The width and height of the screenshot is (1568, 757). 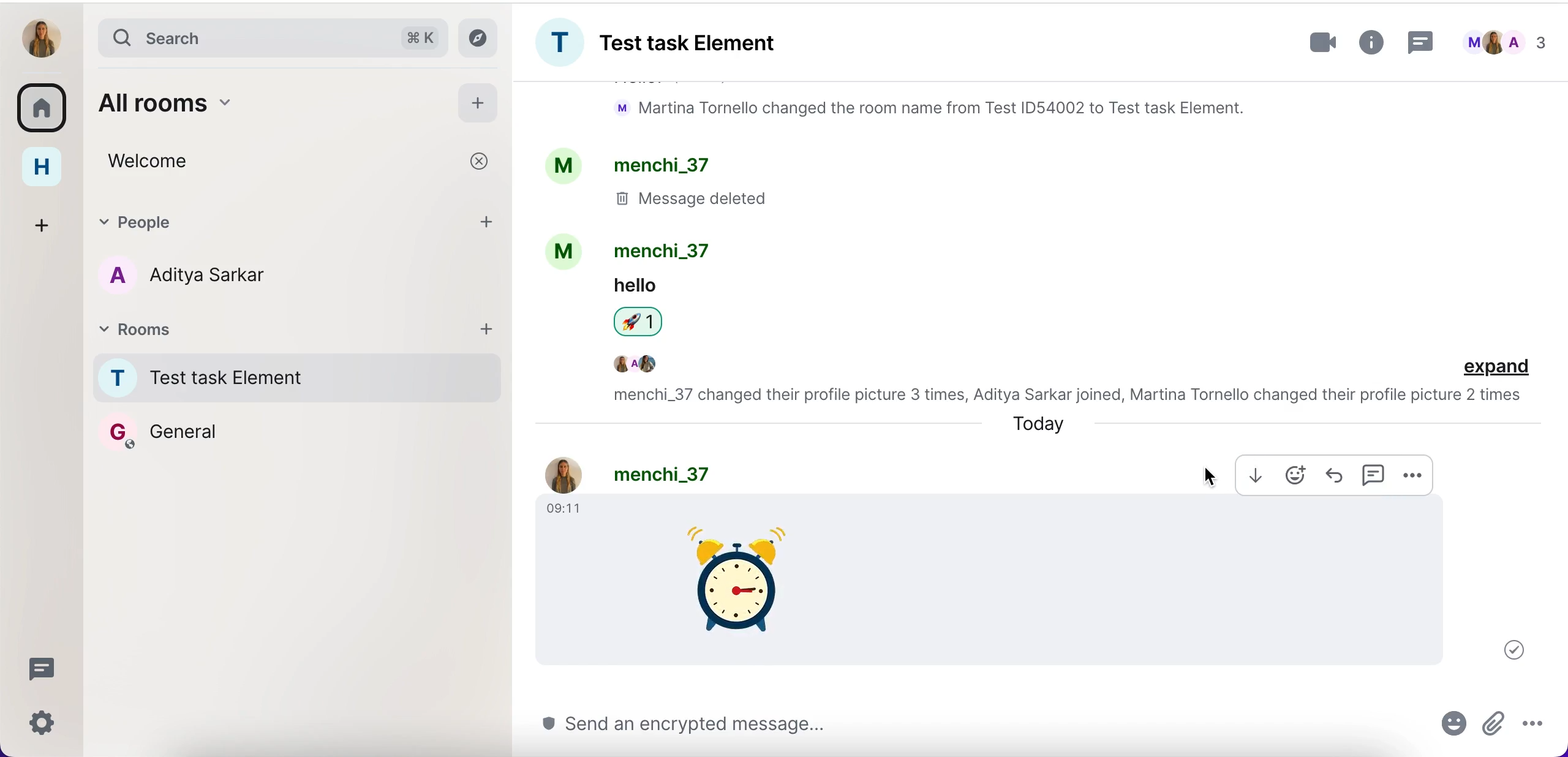 What do you see at coordinates (1453, 723) in the screenshot?
I see `react` at bounding box center [1453, 723].